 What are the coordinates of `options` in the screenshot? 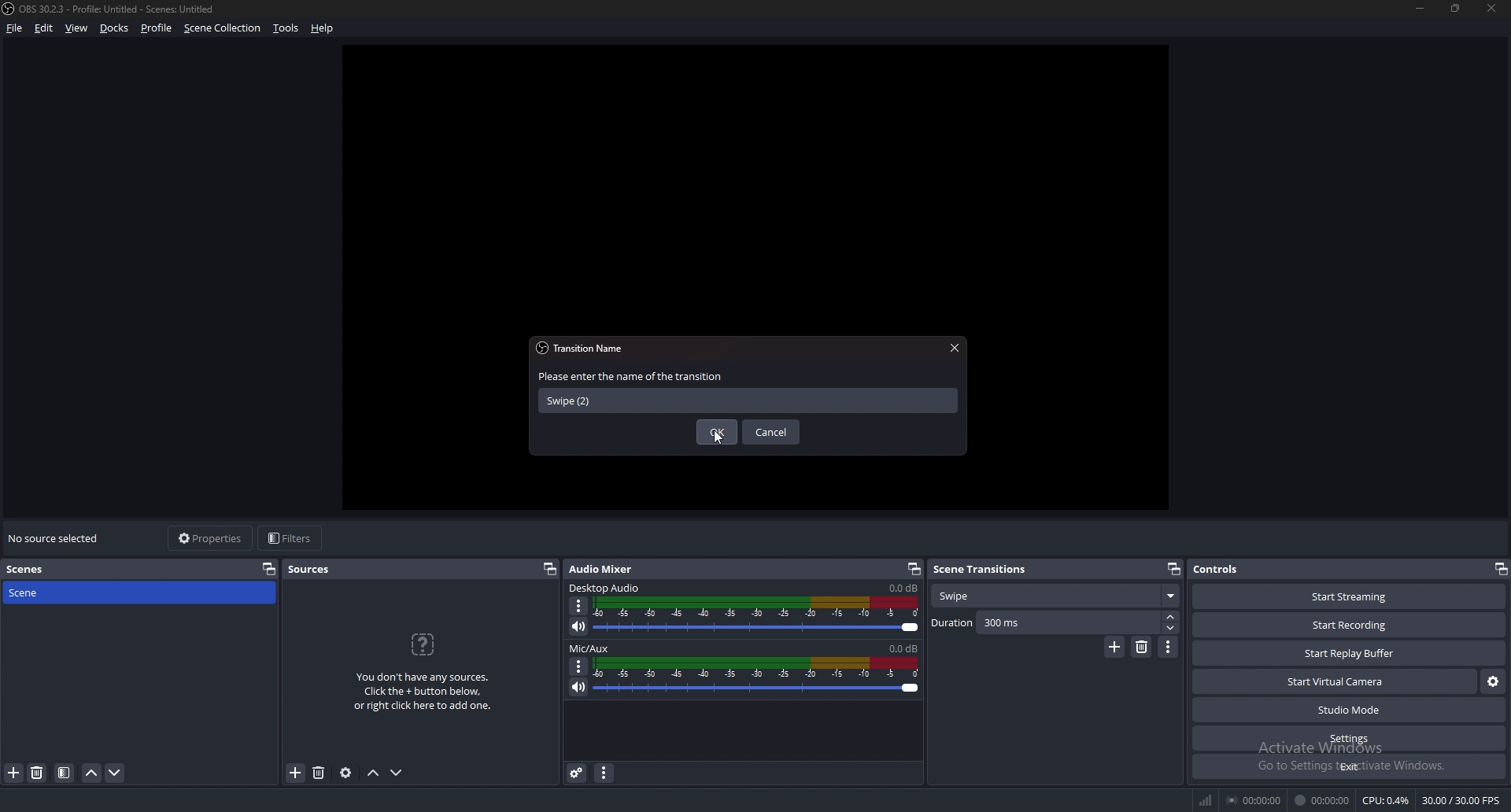 It's located at (579, 666).